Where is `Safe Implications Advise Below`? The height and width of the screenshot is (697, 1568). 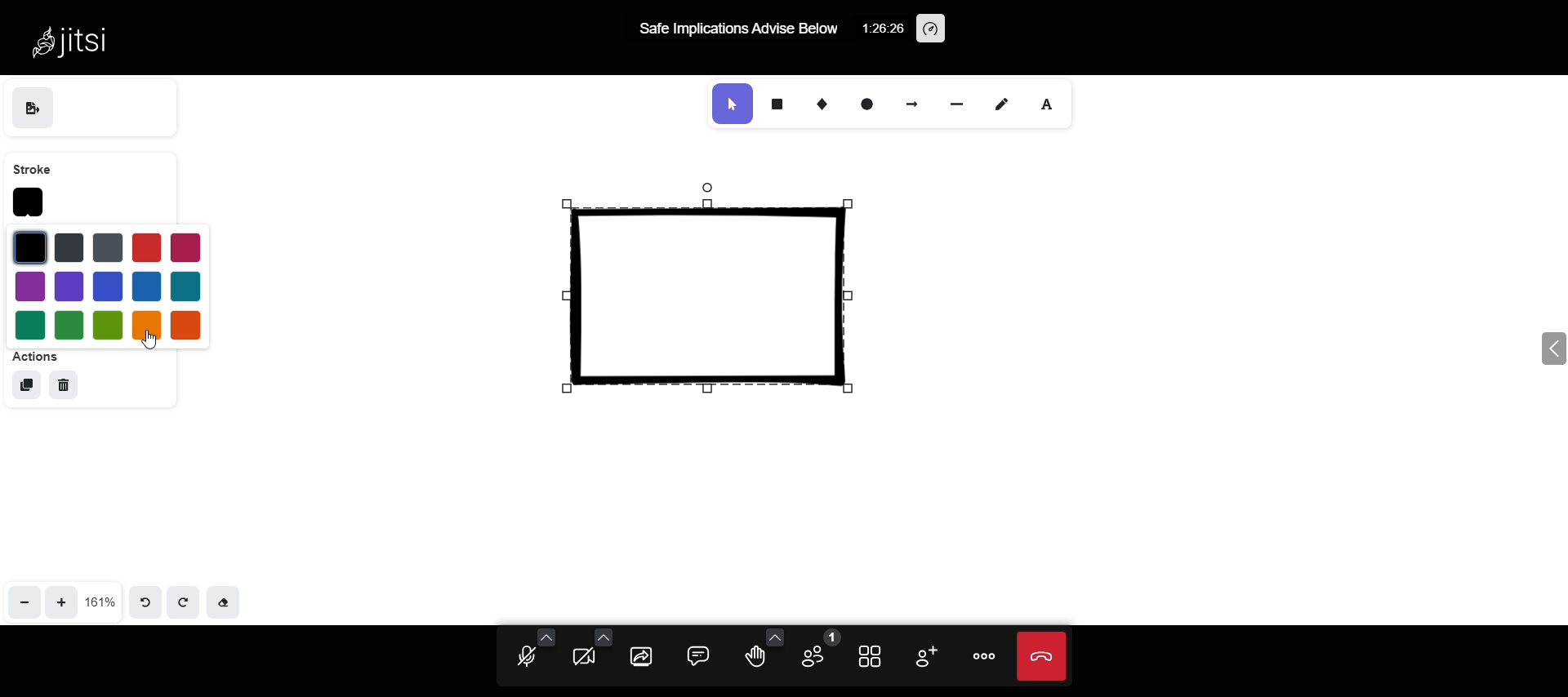 Safe Implications Advise Below is located at coordinates (737, 28).